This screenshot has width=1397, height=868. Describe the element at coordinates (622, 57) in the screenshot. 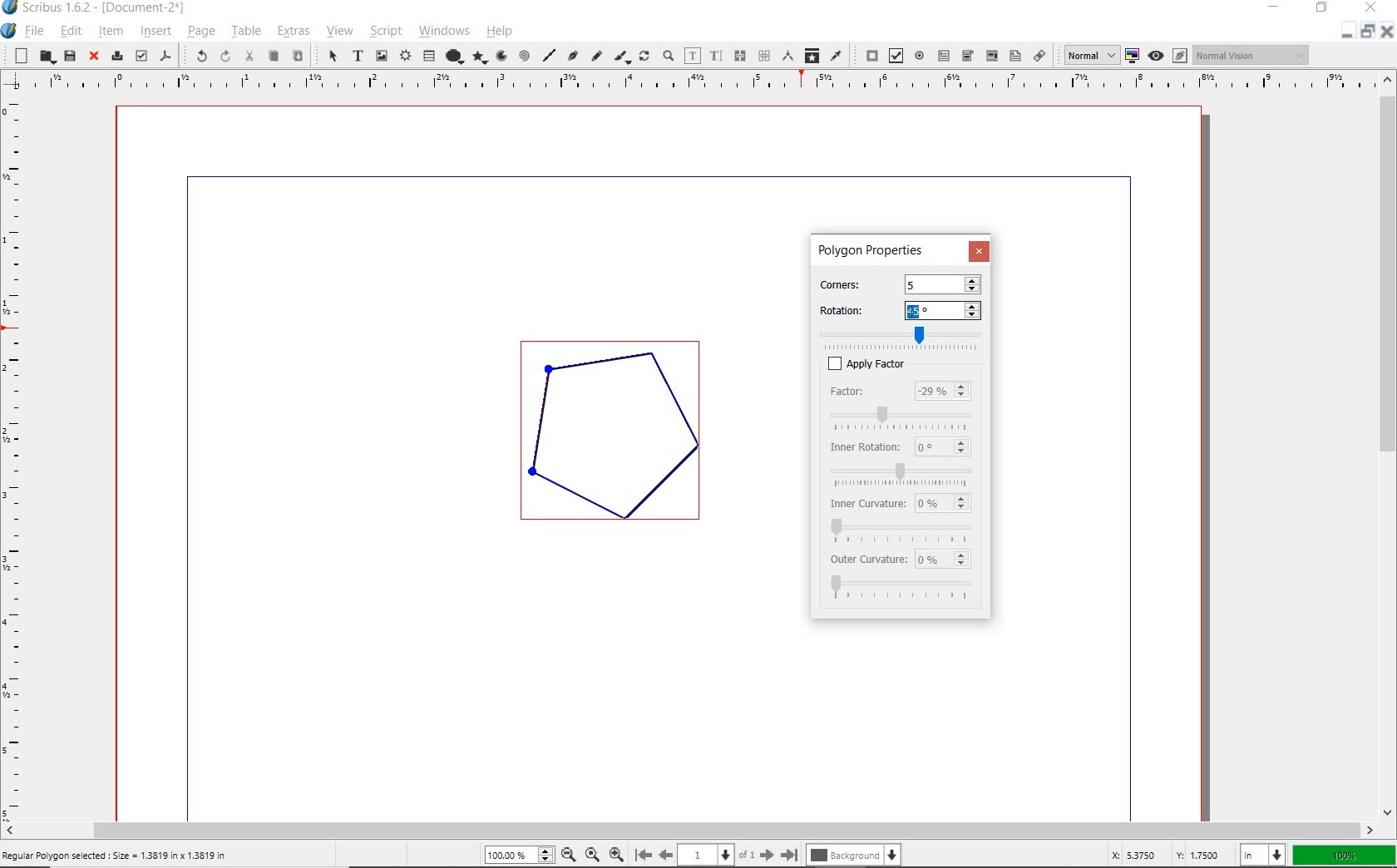

I see `calligraphic line` at that location.